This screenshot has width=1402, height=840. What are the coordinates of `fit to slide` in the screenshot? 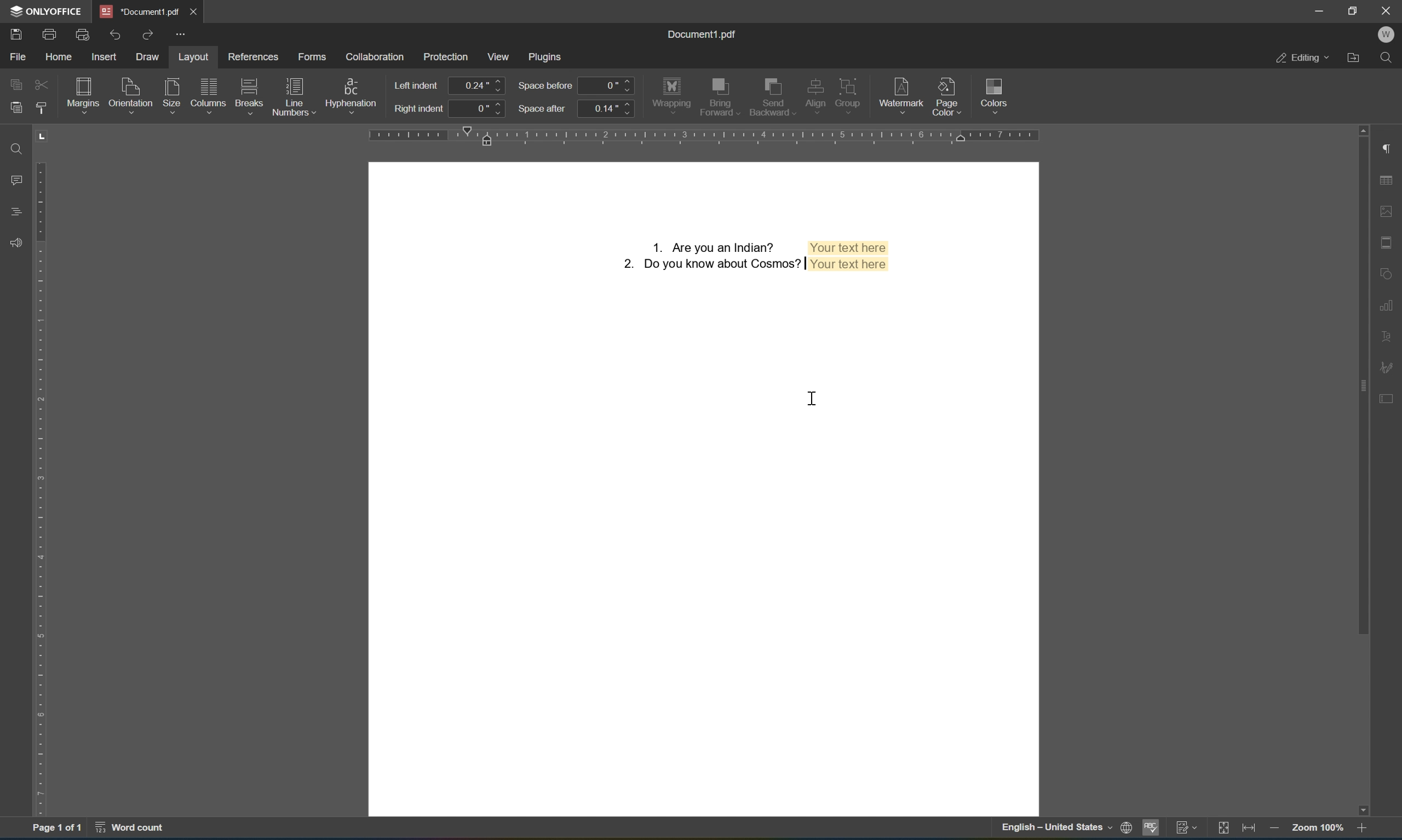 It's located at (1221, 829).